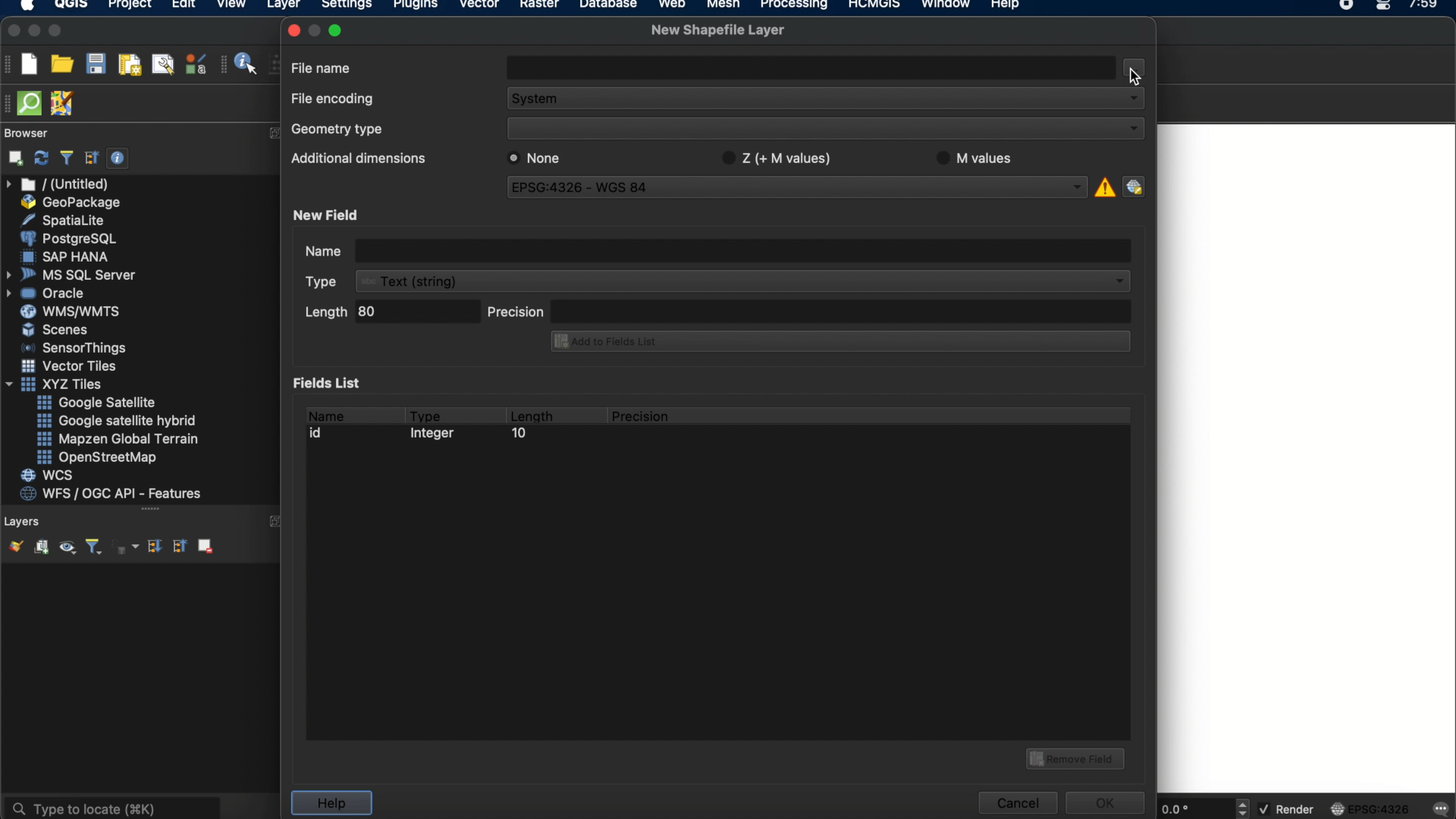 The image size is (1456, 819). What do you see at coordinates (9, 102) in the screenshot?
I see `hidden toolbar` at bounding box center [9, 102].